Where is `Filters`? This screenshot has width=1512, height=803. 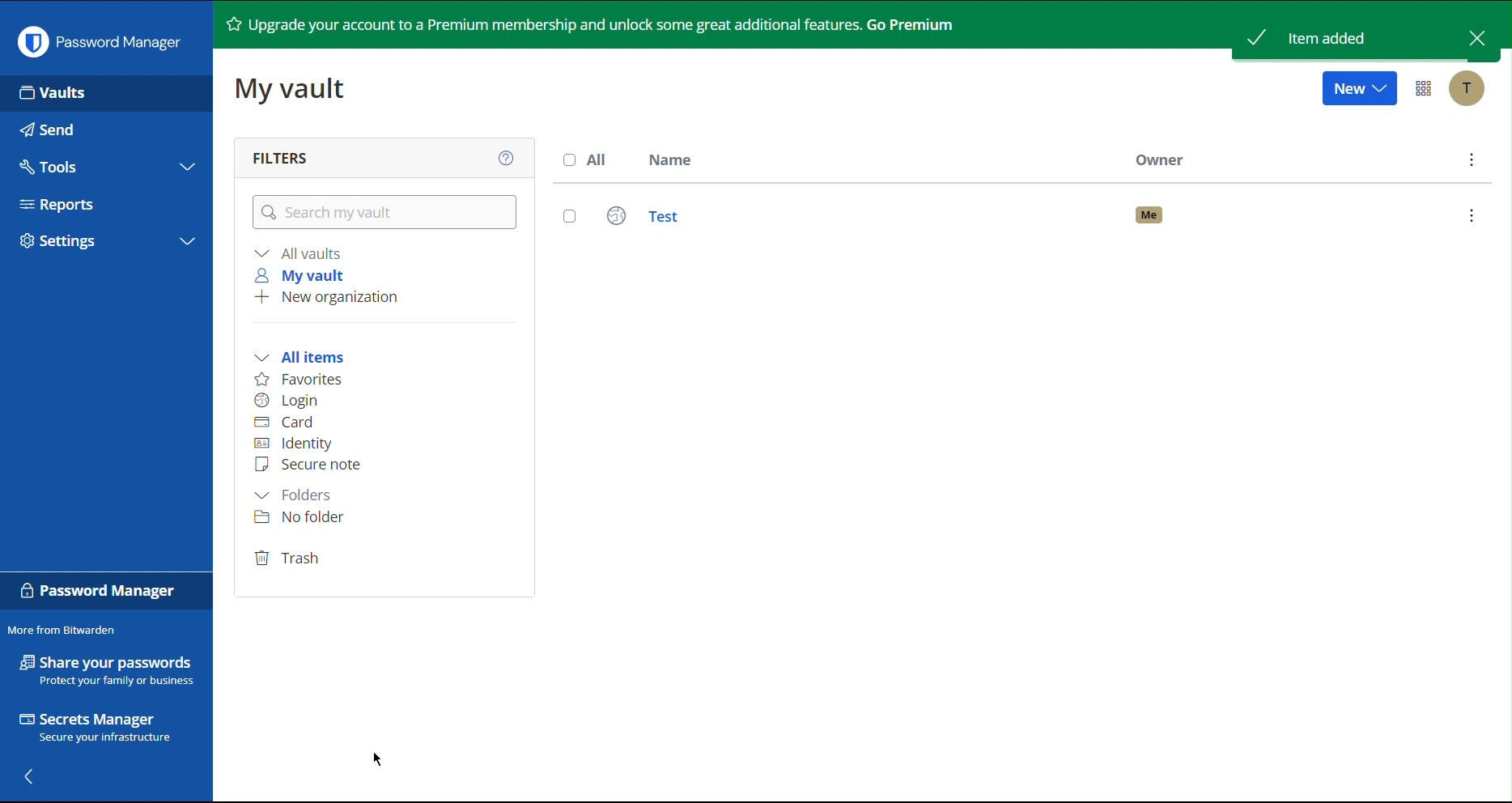
Filters is located at coordinates (284, 156).